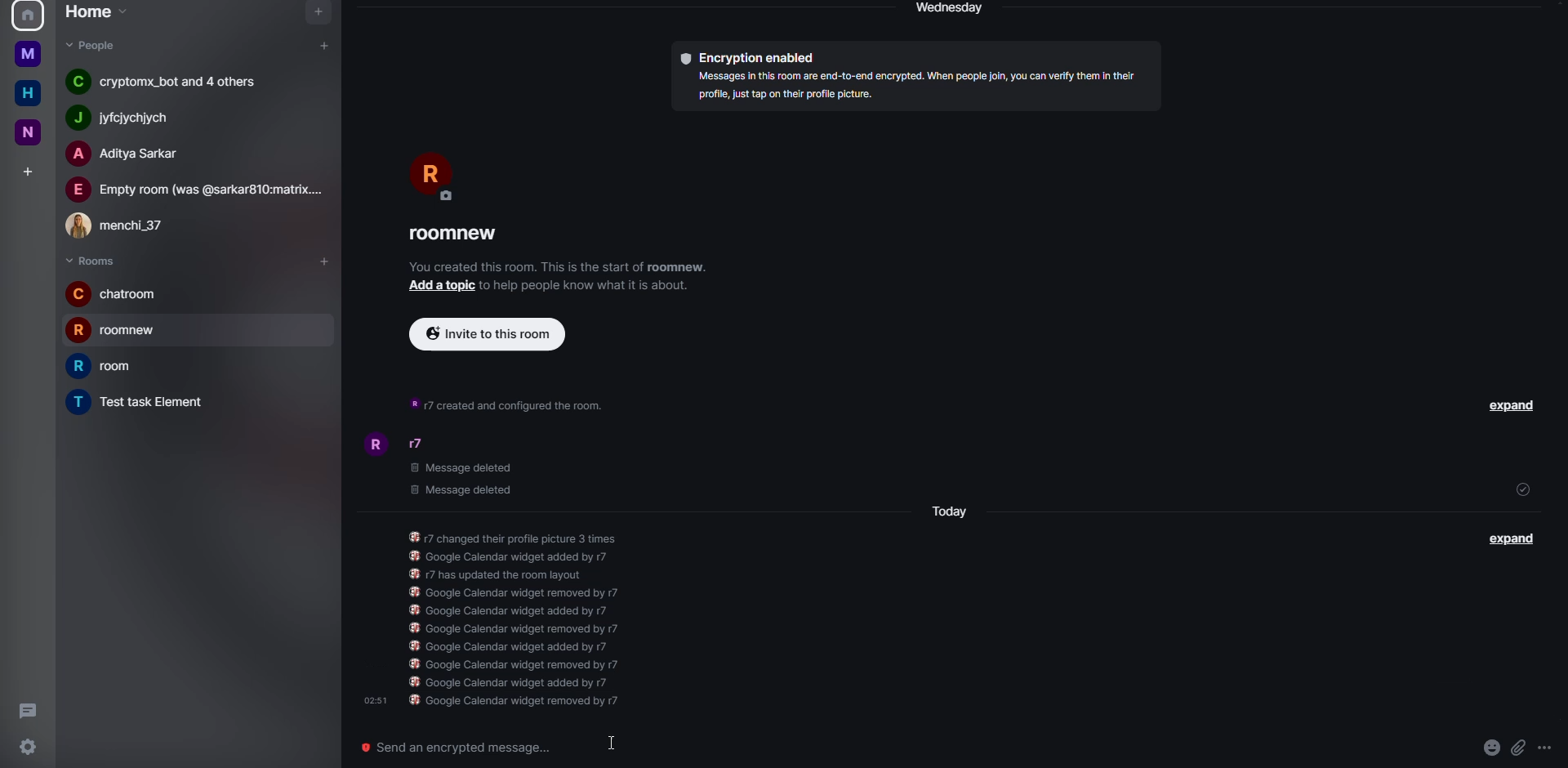  Describe the element at coordinates (25, 16) in the screenshot. I see `profile` at that location.